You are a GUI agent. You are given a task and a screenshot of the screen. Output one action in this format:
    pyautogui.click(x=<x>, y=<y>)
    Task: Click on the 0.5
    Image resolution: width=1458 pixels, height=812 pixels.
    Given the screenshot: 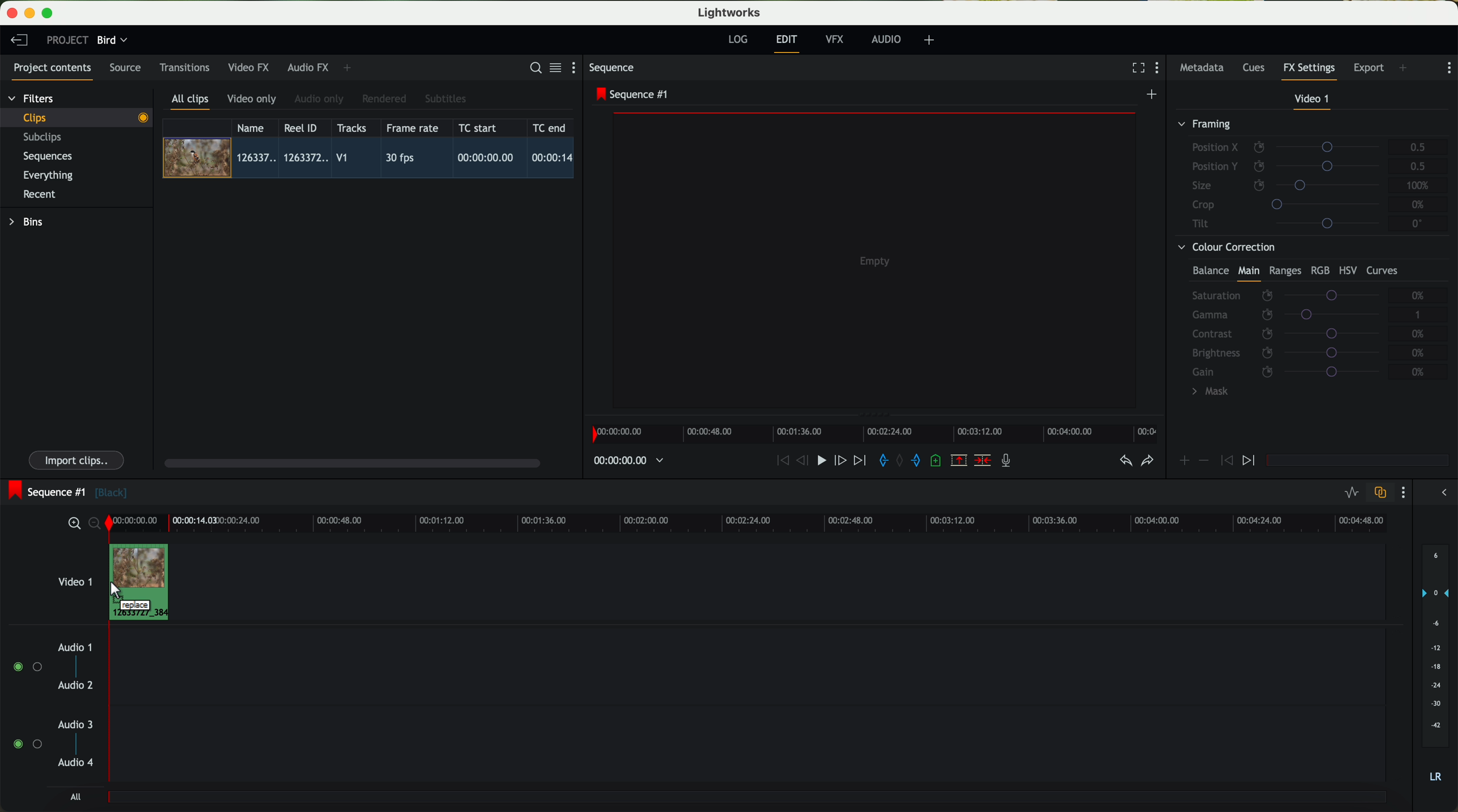 What is the action you would take?
    pyautogui.click(x=1417, y=166)
    